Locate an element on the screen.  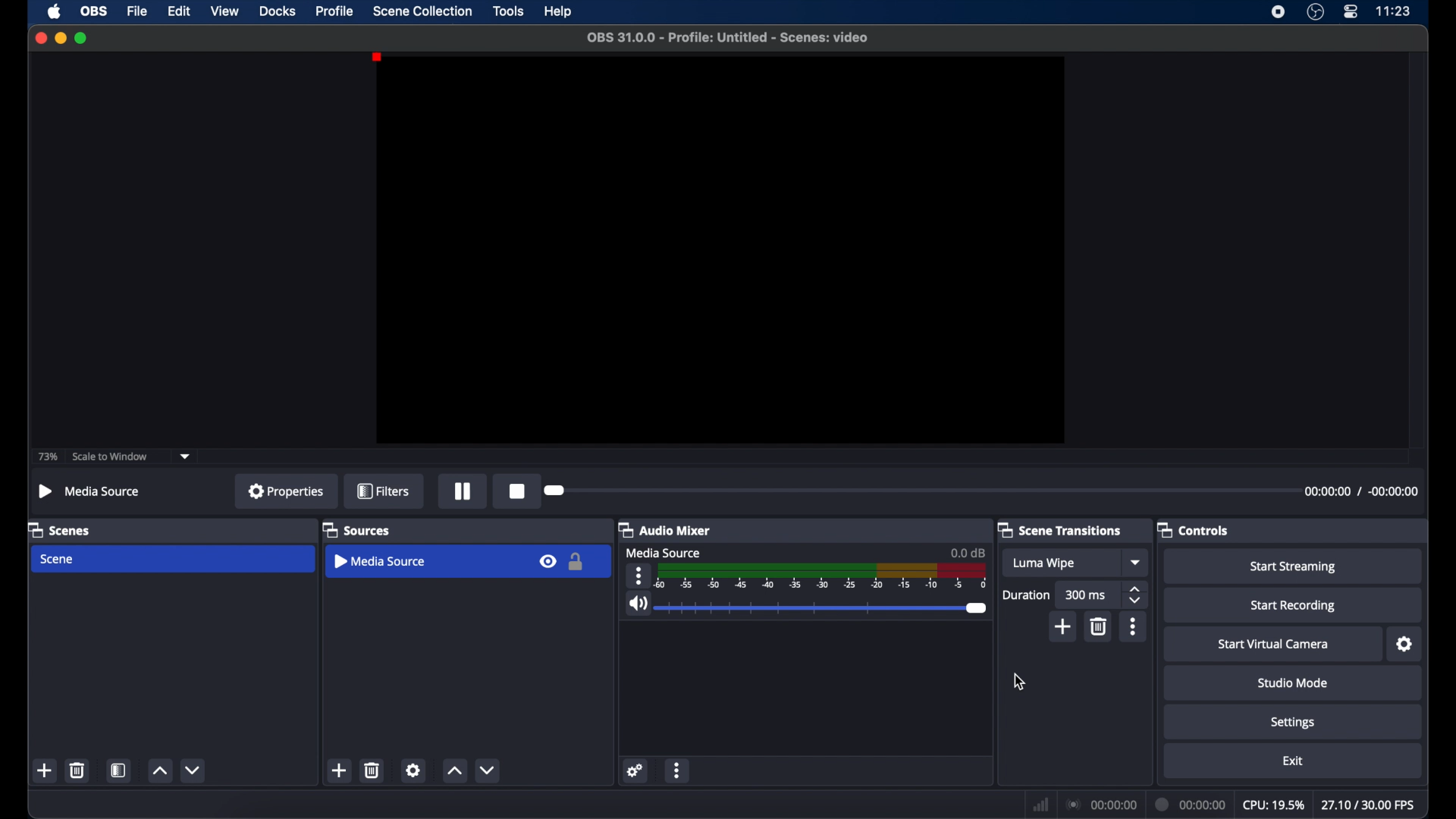
scene filters is located at coordinates (120, 770).